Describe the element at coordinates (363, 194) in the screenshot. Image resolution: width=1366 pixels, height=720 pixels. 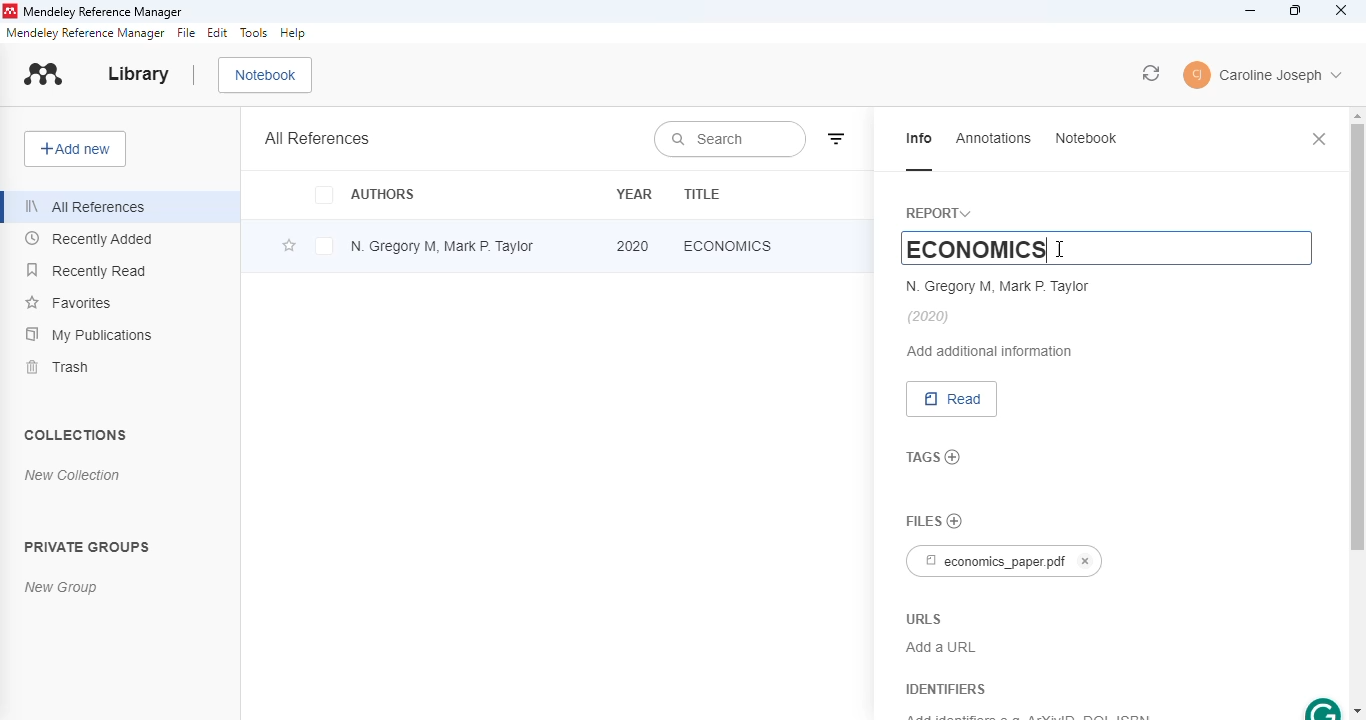
I see `authors` at that location.